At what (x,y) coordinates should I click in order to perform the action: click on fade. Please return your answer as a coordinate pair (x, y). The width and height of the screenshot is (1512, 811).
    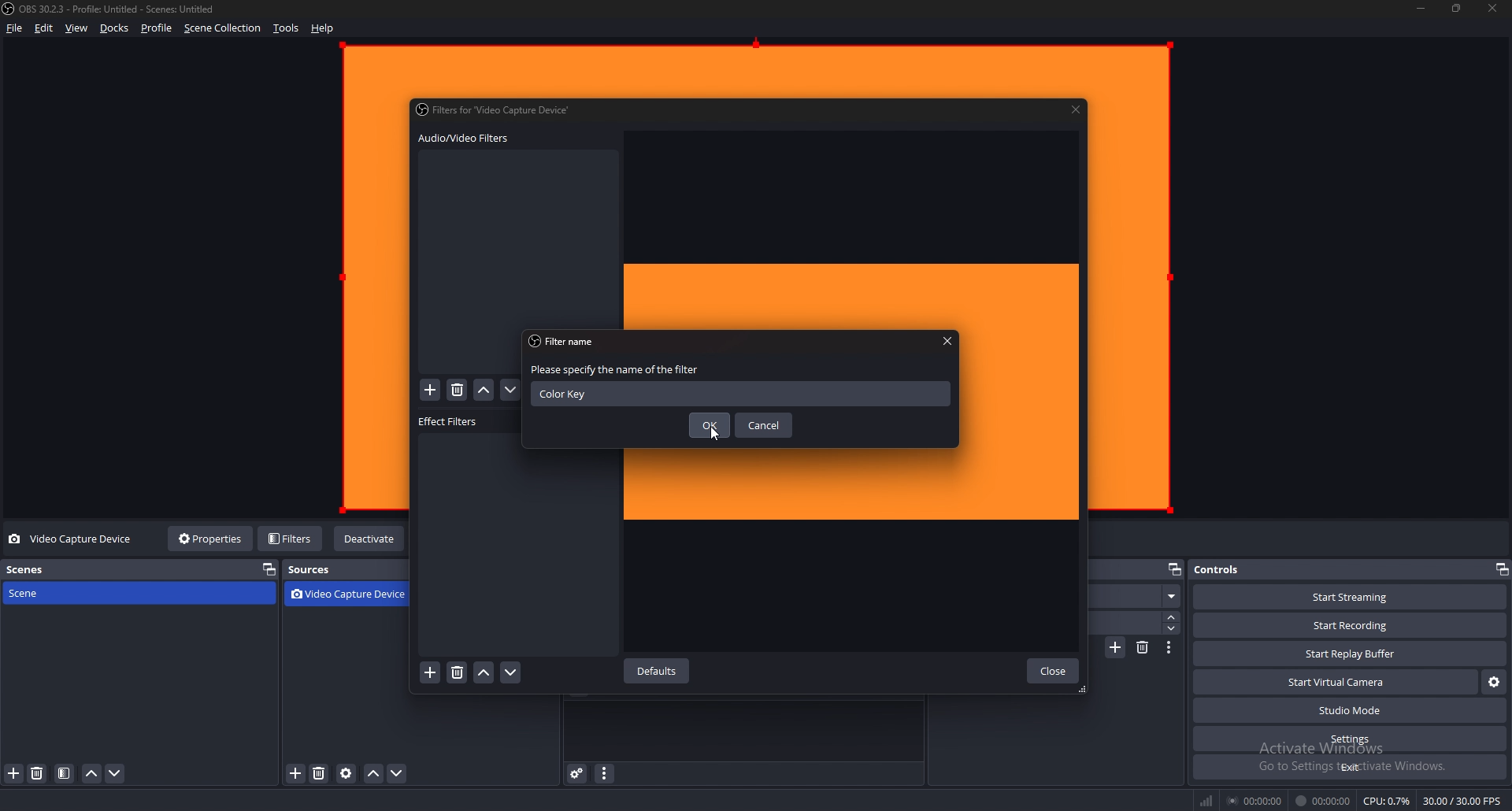
    Looking at the image, I should click on (1140, 597).